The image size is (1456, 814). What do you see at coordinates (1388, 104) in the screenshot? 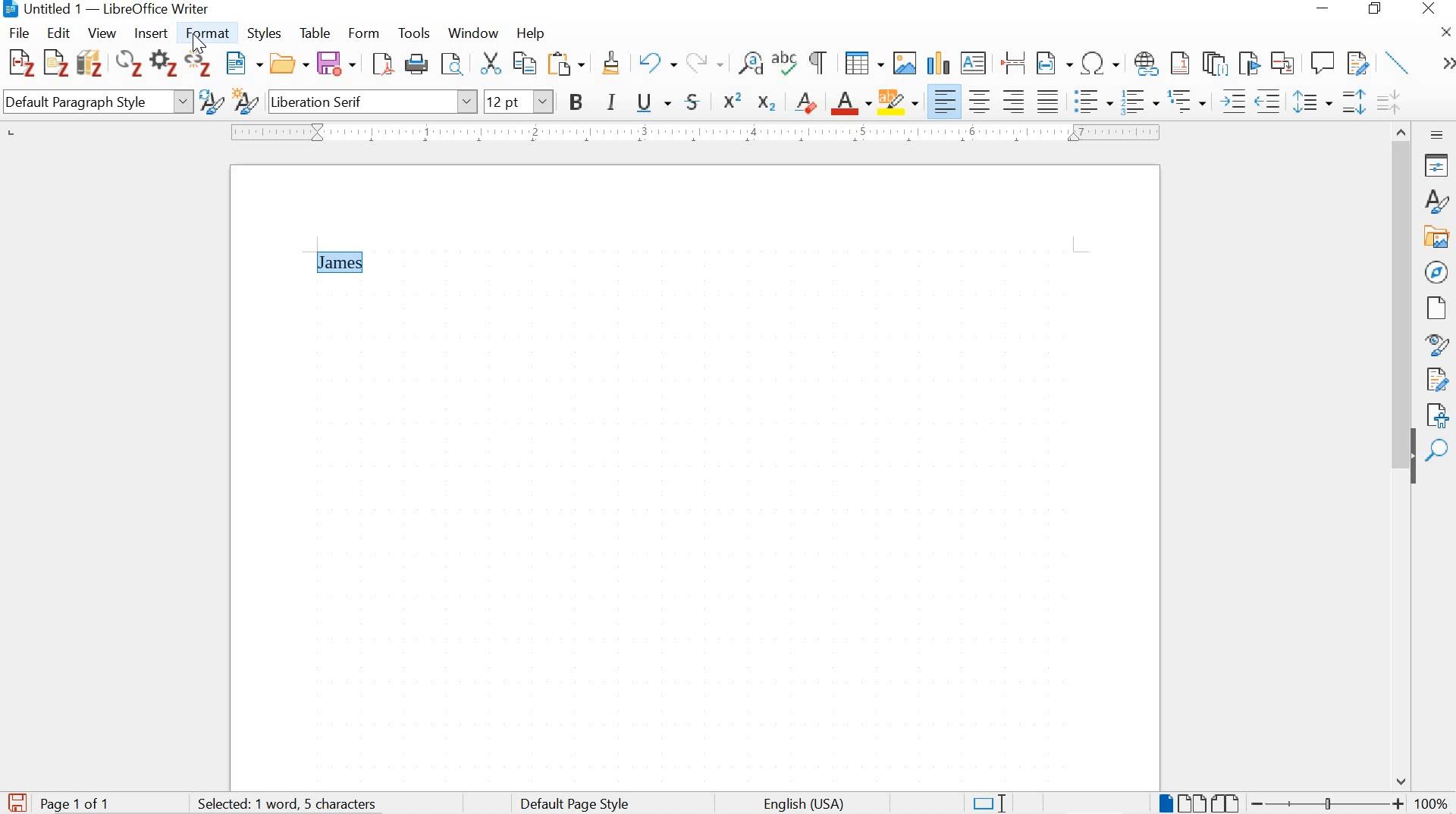
I see `decrease paragraph spacing` at bounding box center [1388, 104].